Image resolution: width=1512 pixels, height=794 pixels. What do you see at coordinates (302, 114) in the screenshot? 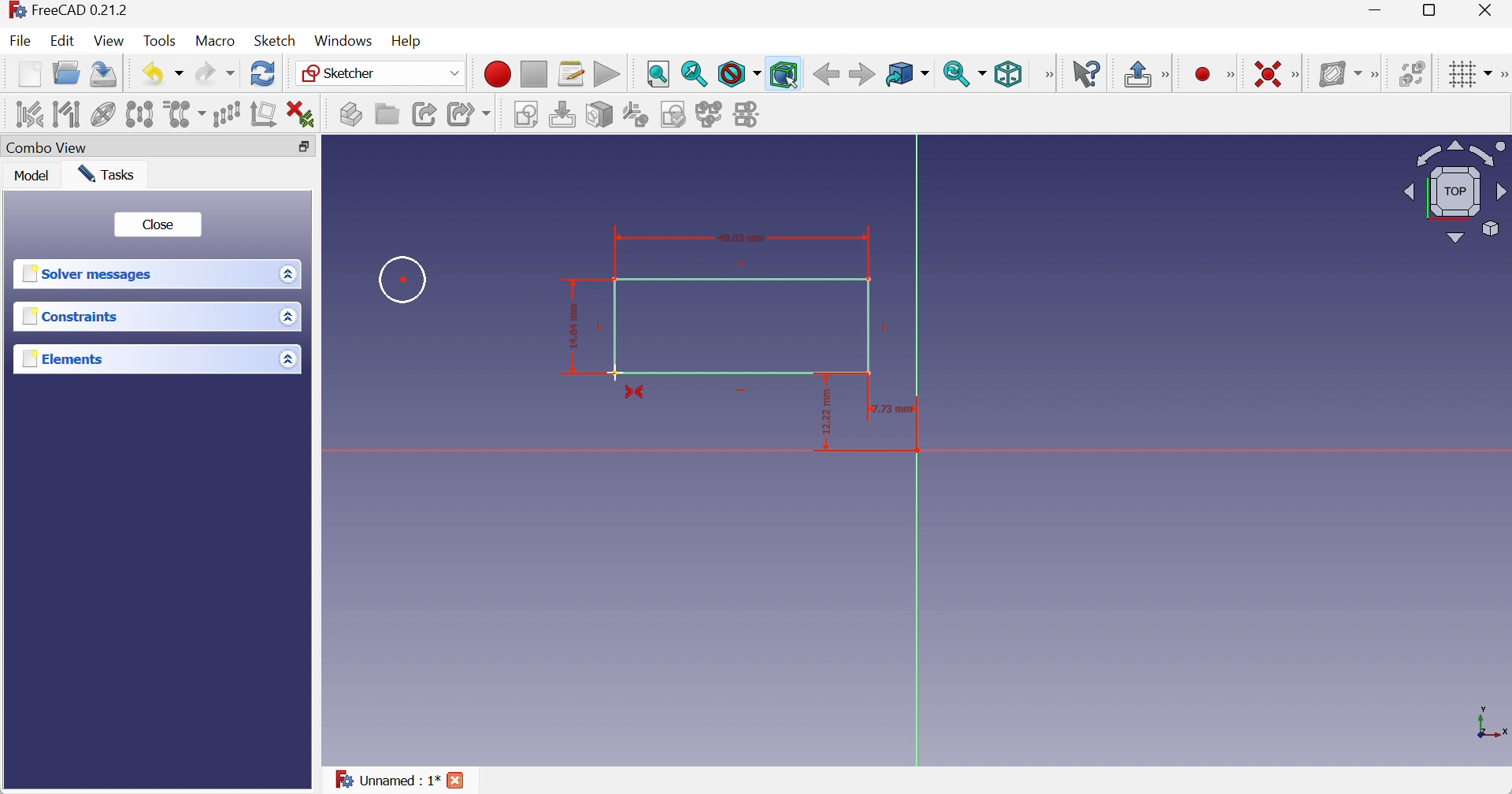
I see `Delete all constraints` at bounding box center [302, 114].